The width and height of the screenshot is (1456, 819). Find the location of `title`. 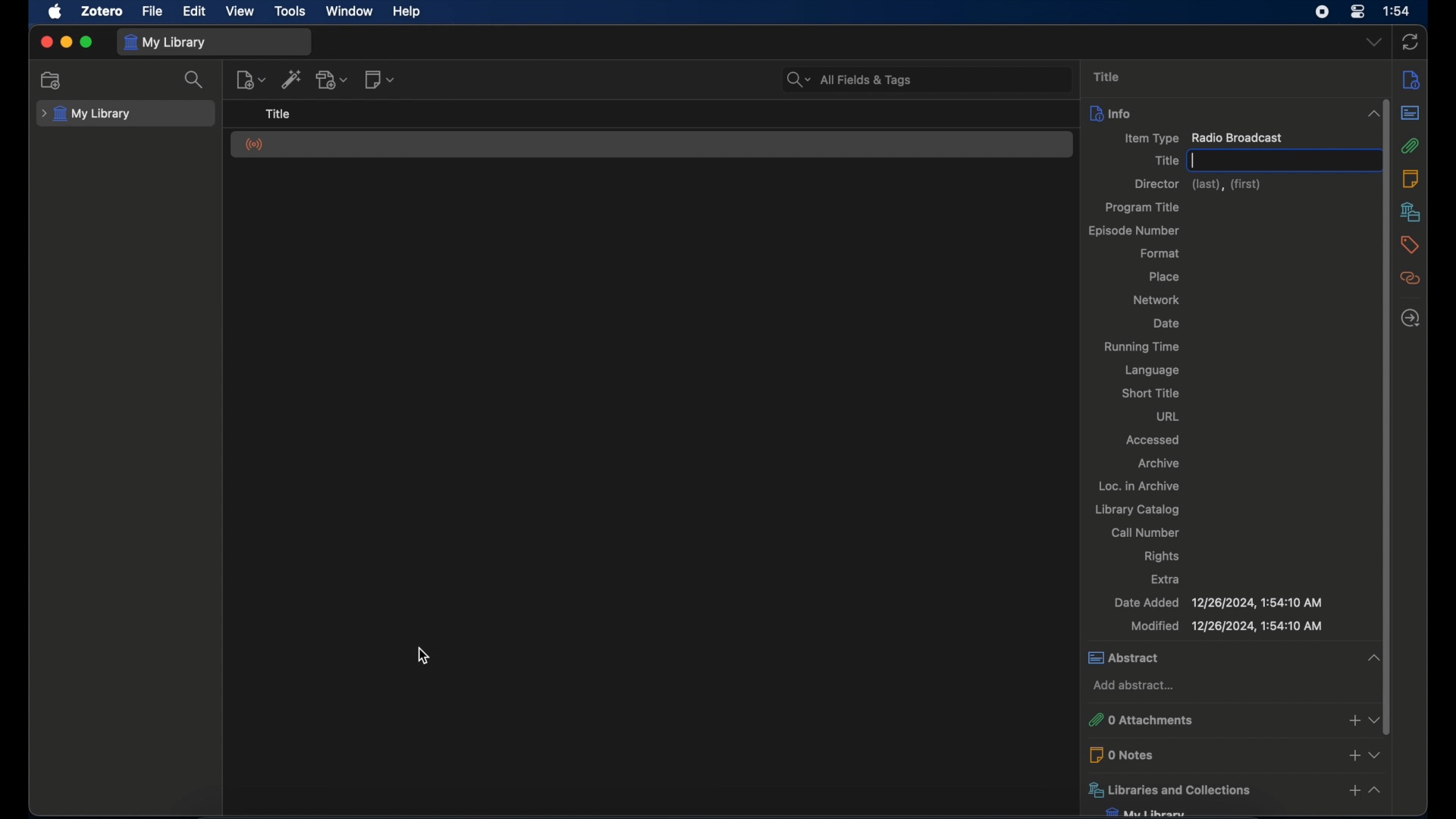

title is located at coordinates (1165, 160).